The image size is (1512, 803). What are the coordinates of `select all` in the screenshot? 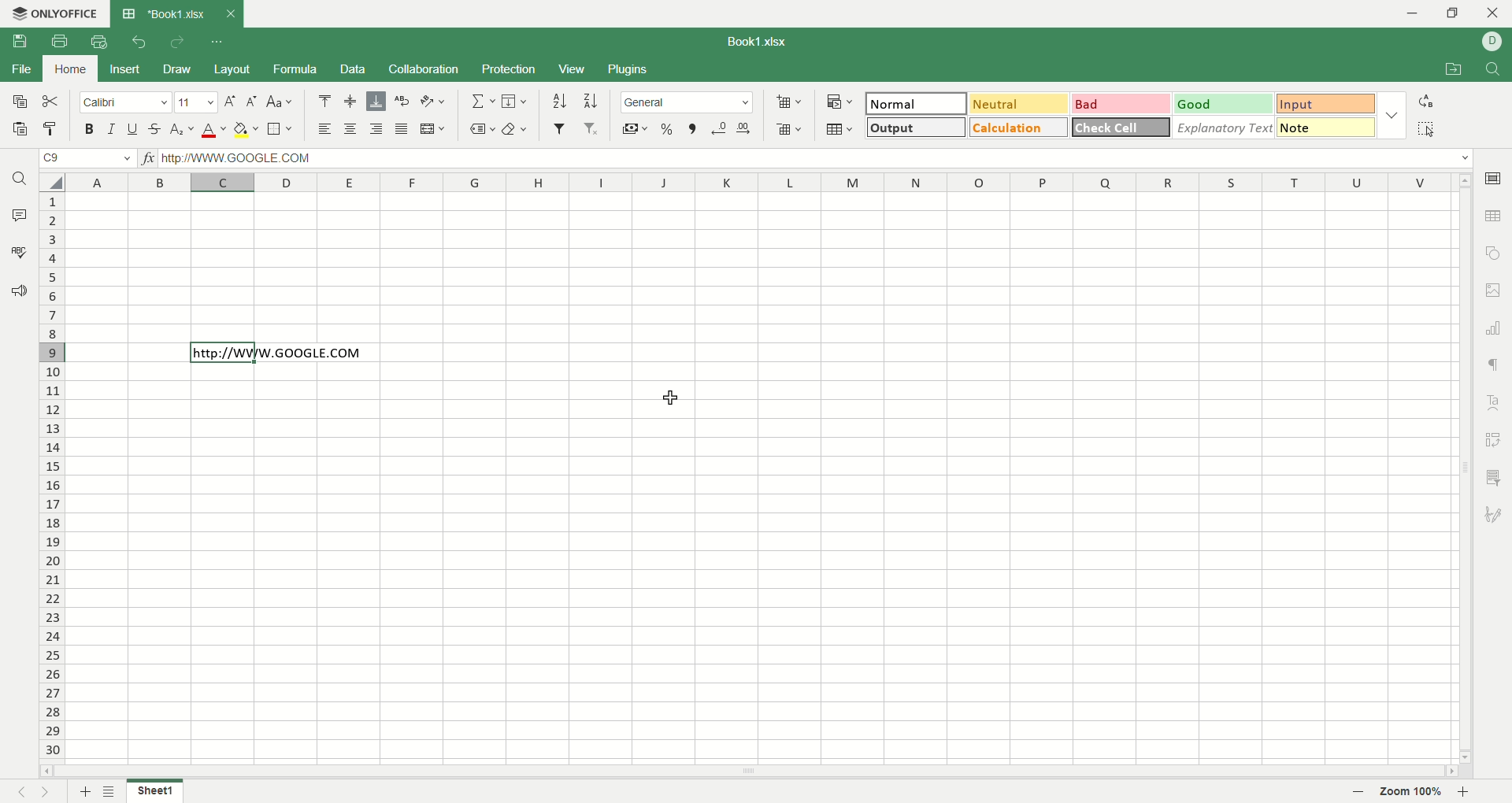 It's located at (1429, 129).